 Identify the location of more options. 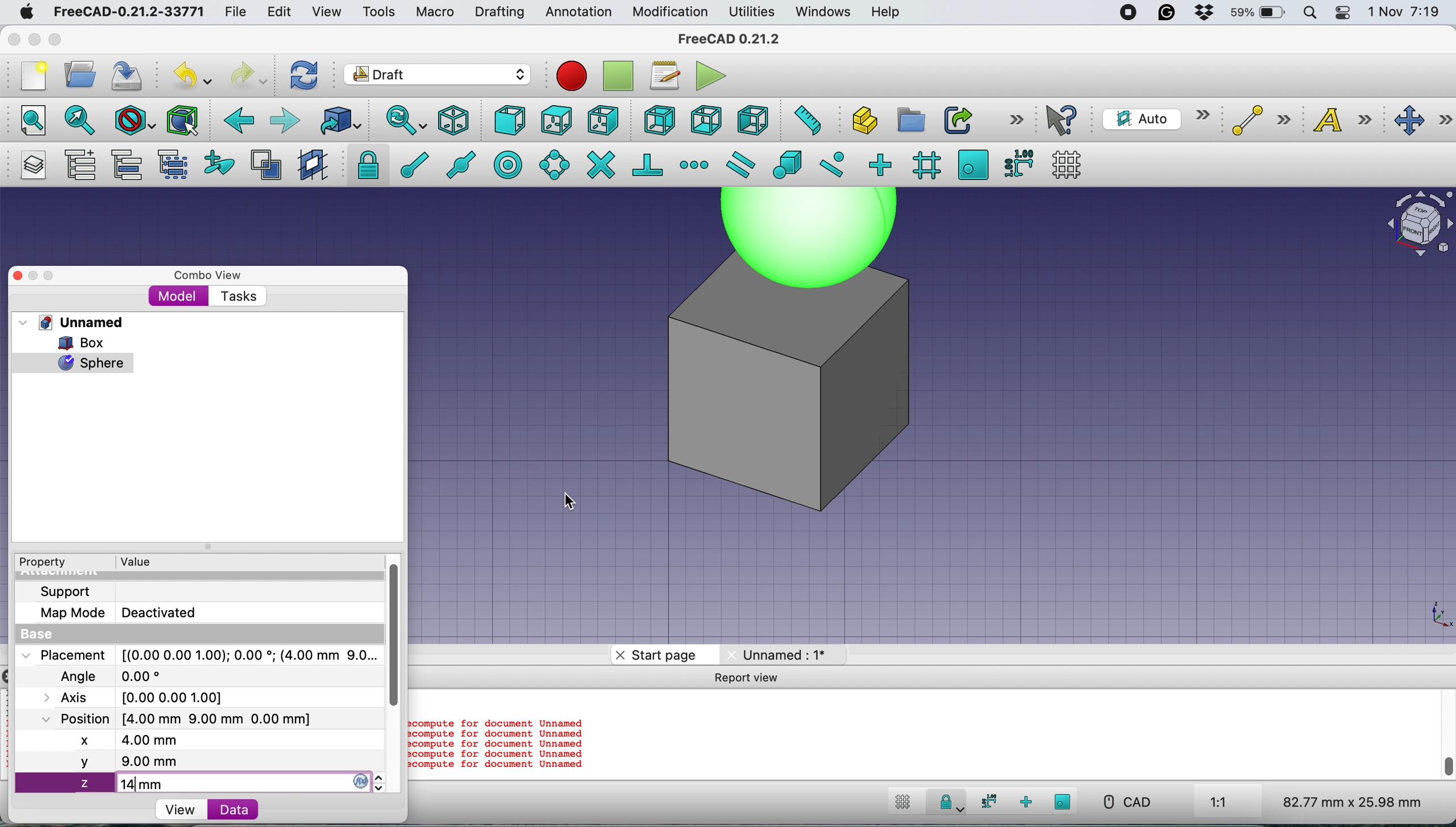
(1016, 119).